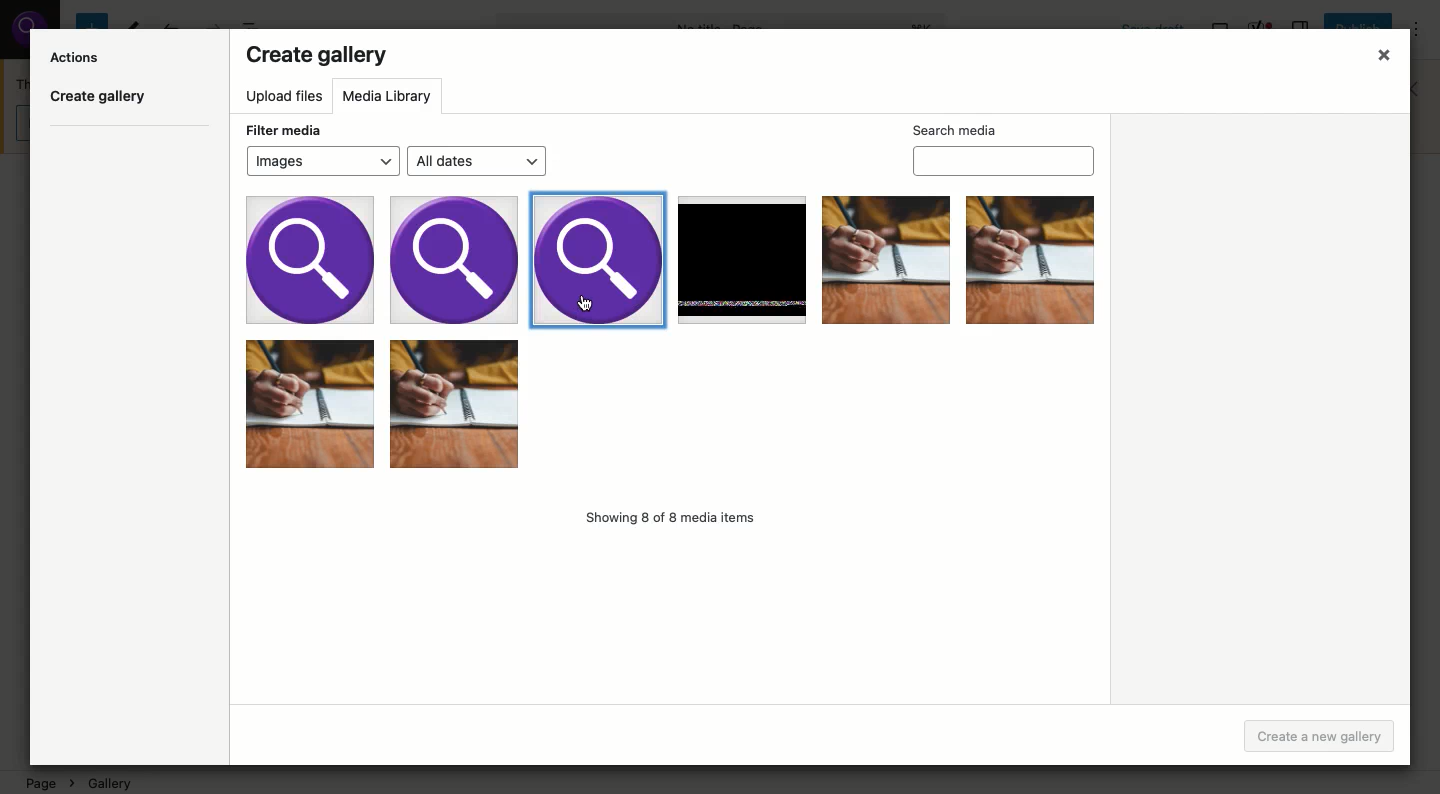  What do you see at coordinates (1004, 147) in the screenshot?
I see `Search media` at bounding box center [1004, 147].